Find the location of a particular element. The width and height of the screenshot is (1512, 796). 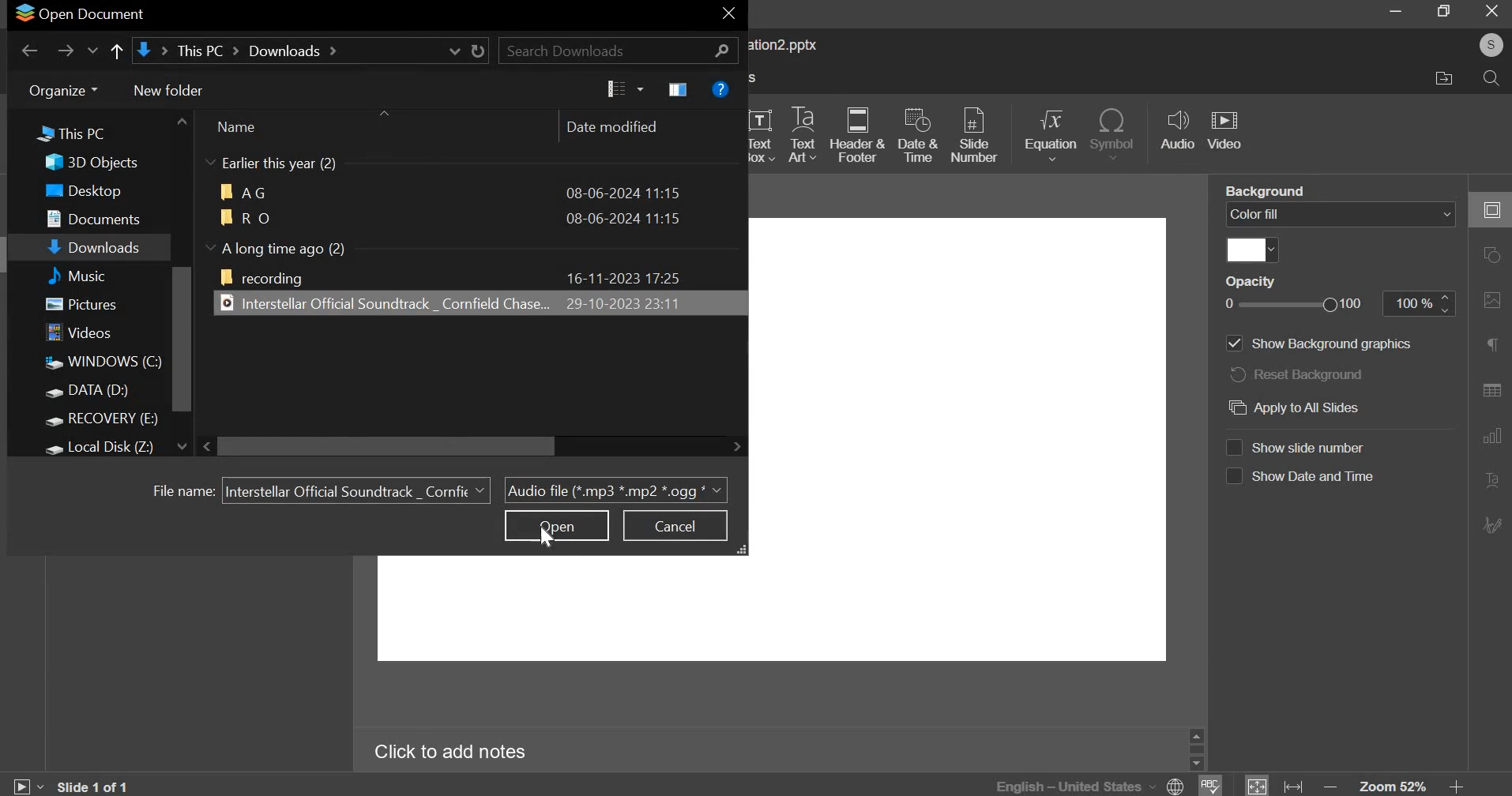

text art is located at coordinates (804, 134).